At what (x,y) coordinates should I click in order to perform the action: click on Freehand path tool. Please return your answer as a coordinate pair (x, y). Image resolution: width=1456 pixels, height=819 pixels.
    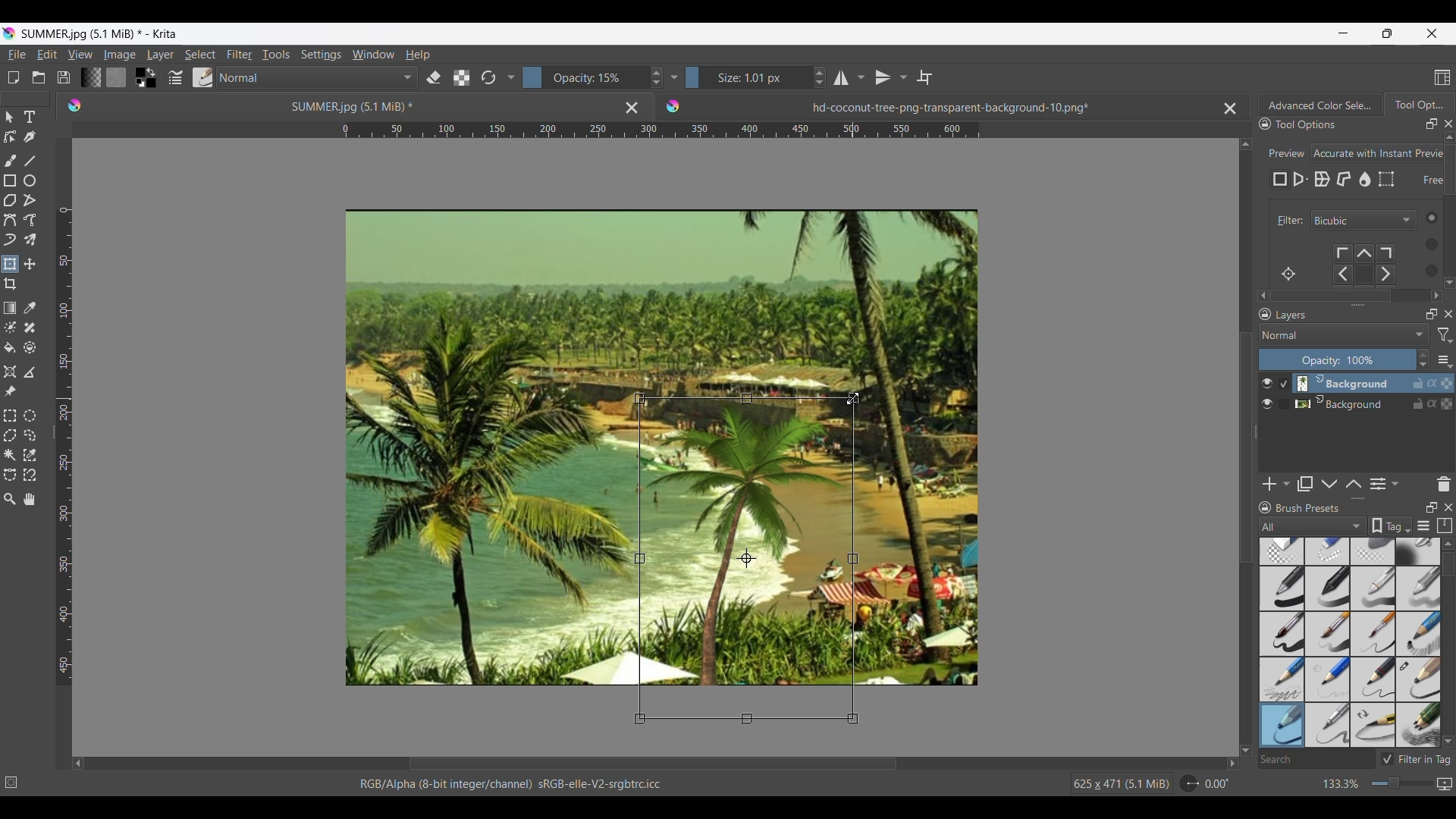
    Looking at the image, I should click on (29, 220).